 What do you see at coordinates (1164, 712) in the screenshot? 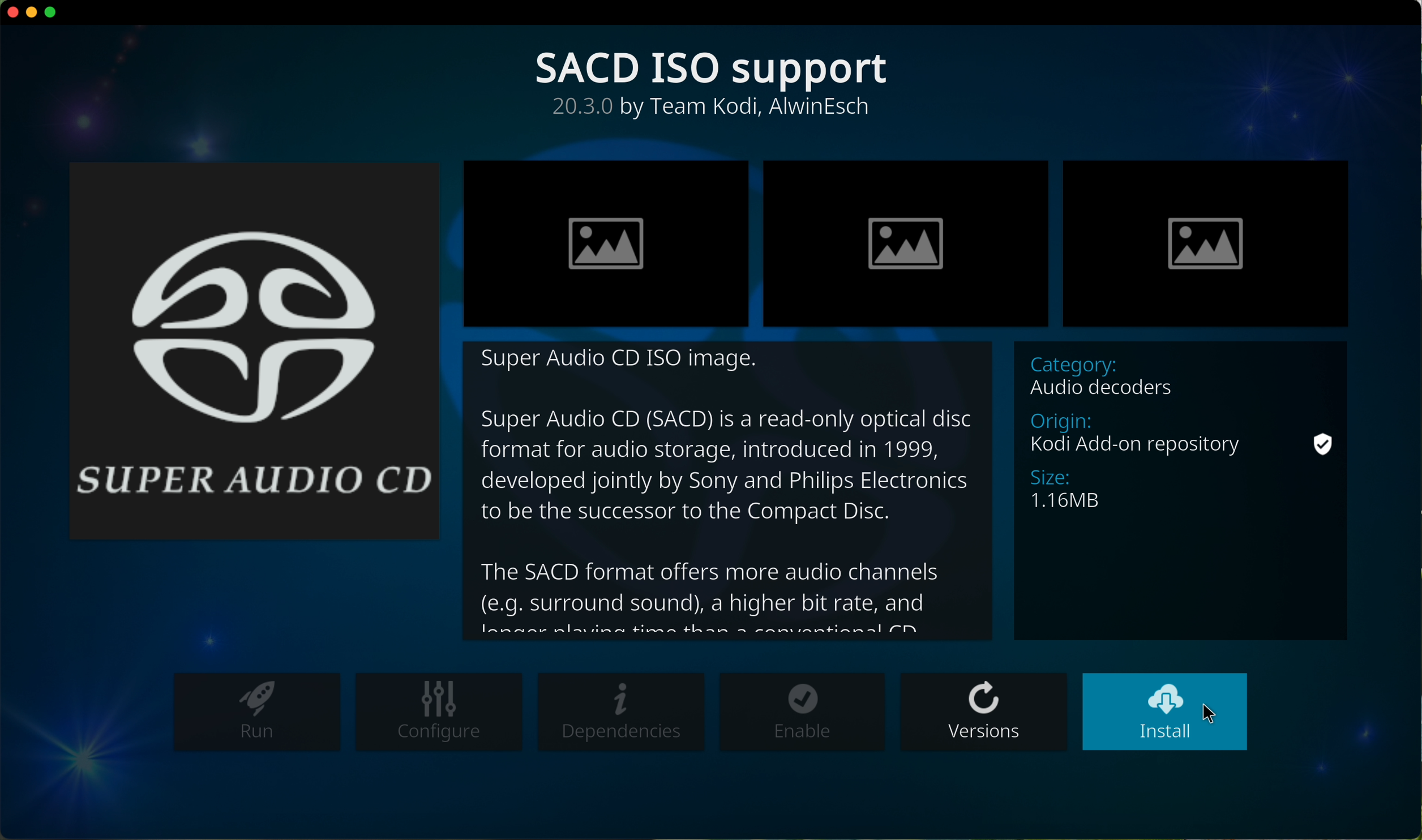
I see `click on install` at bounding box center [1164, 712].